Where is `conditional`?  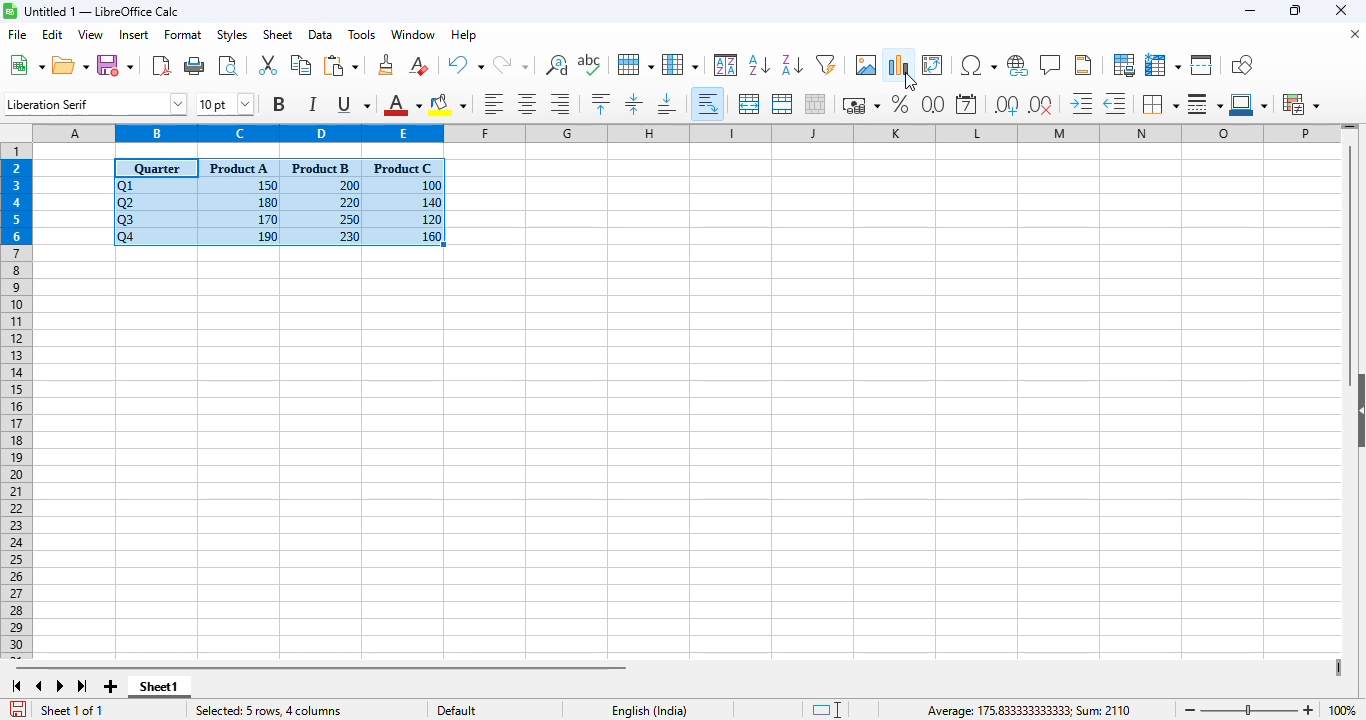 conditional is located at coordinates (1300, 104).